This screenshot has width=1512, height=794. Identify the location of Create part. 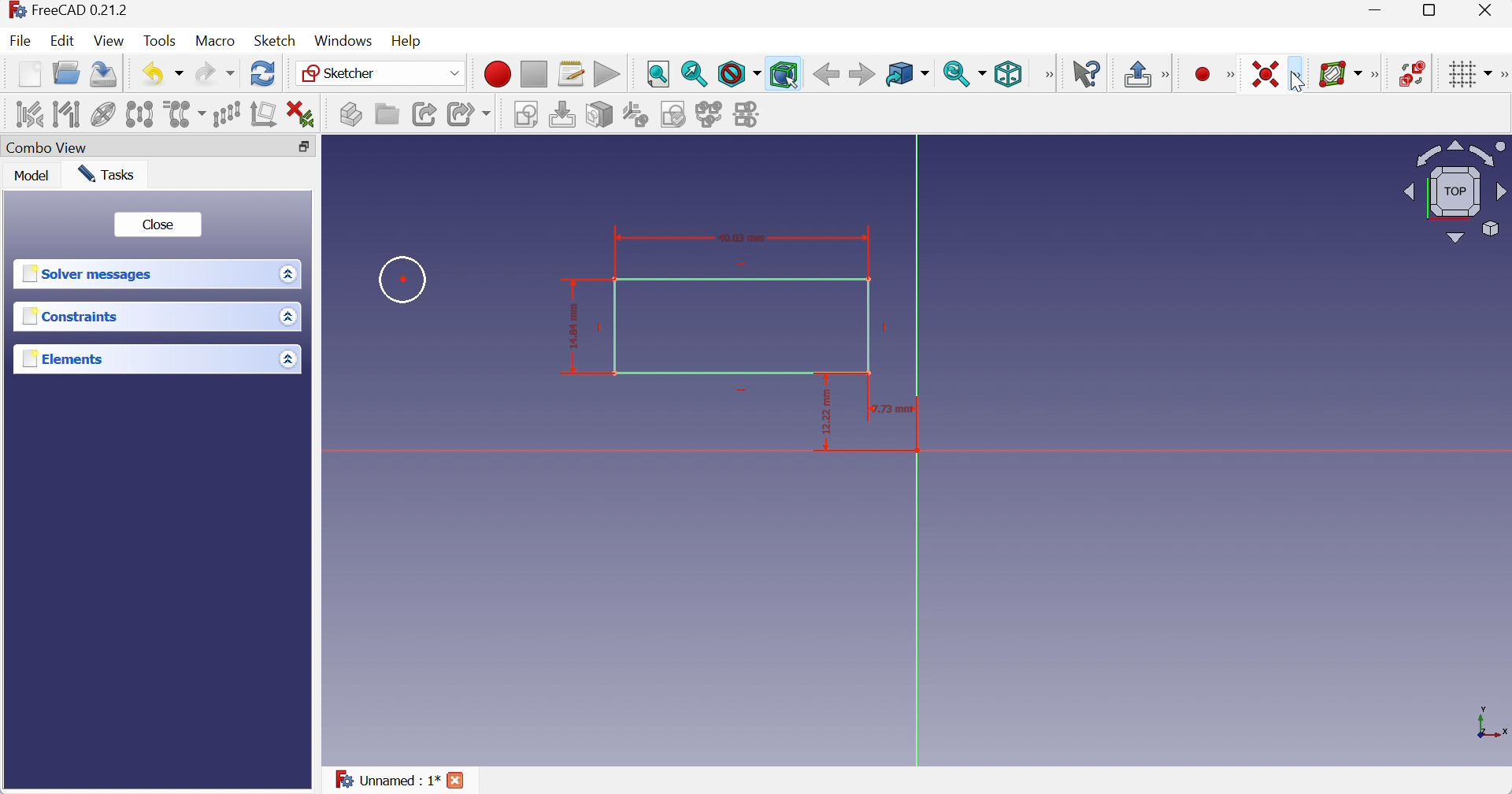
(350, 113).